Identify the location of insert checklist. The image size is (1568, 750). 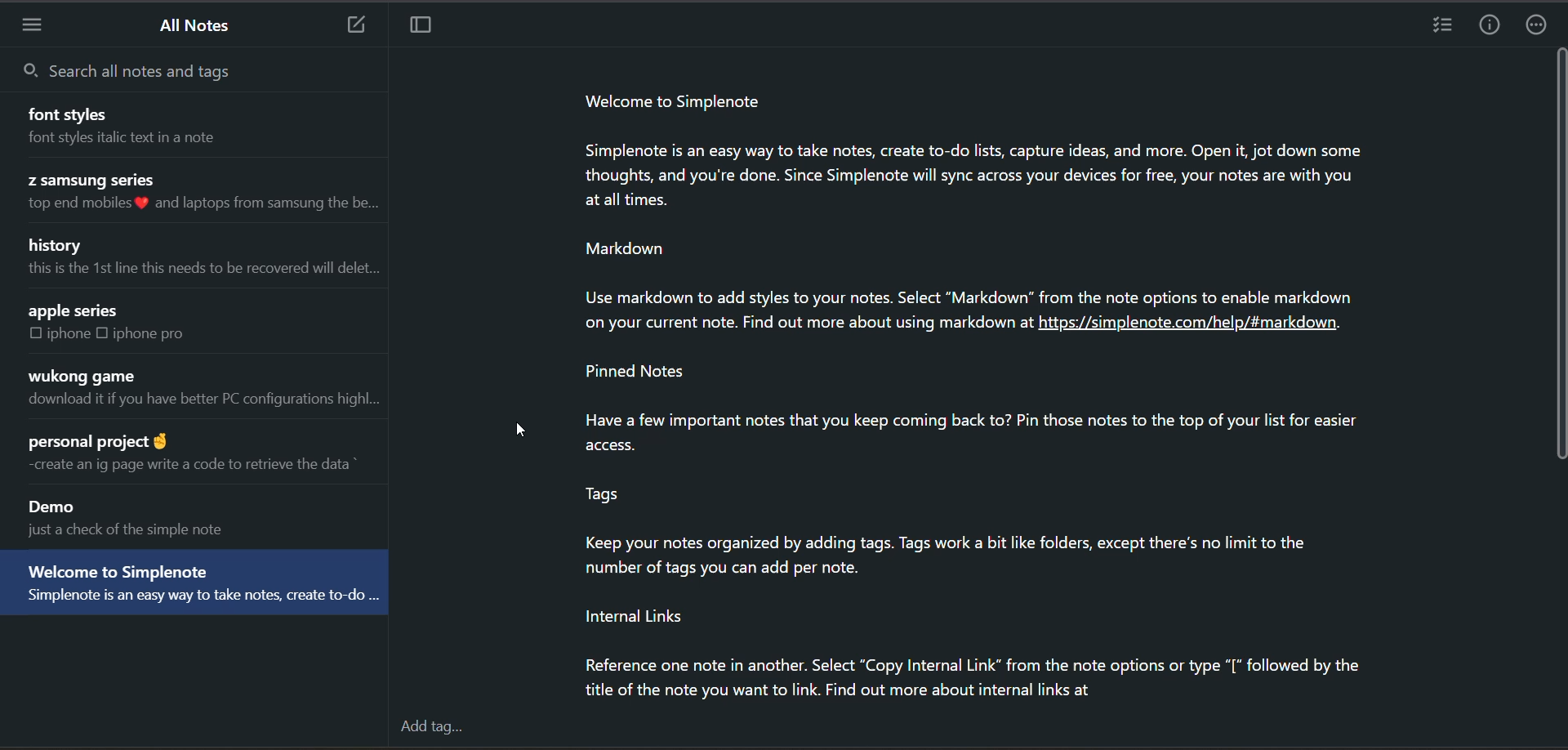
(1444, 25).